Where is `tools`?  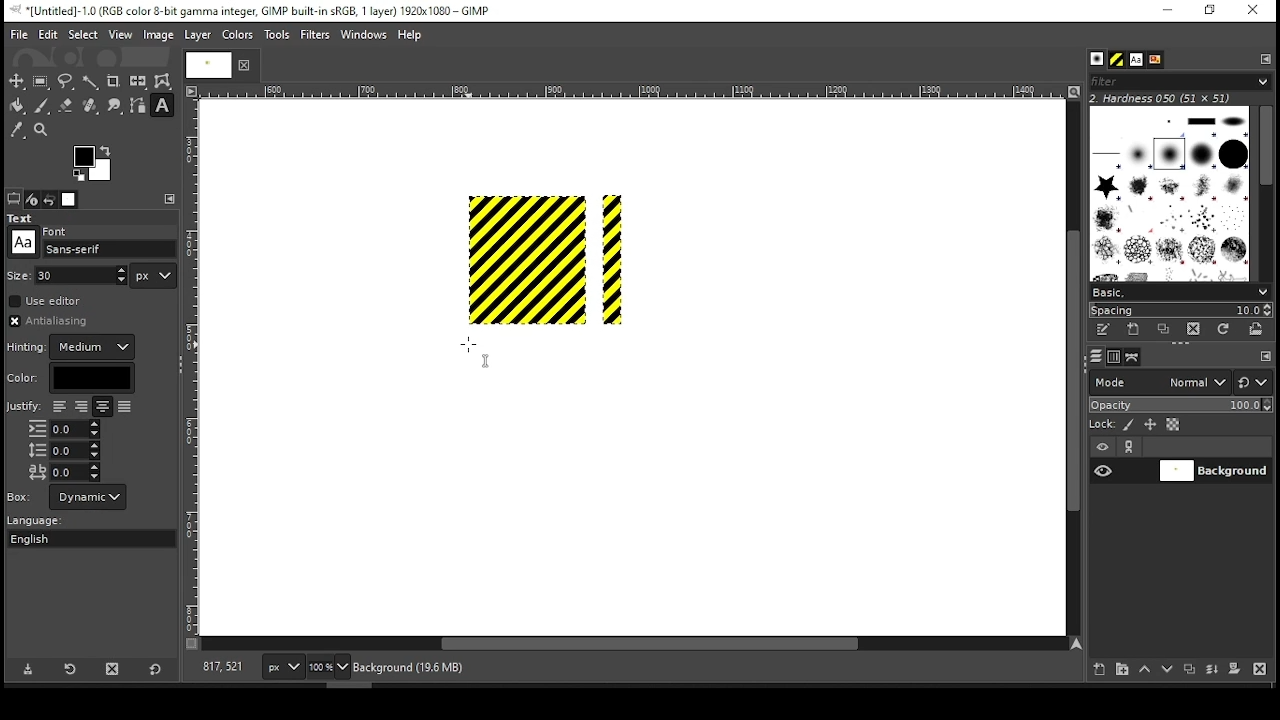
tools is located at coordinates (279, 36).